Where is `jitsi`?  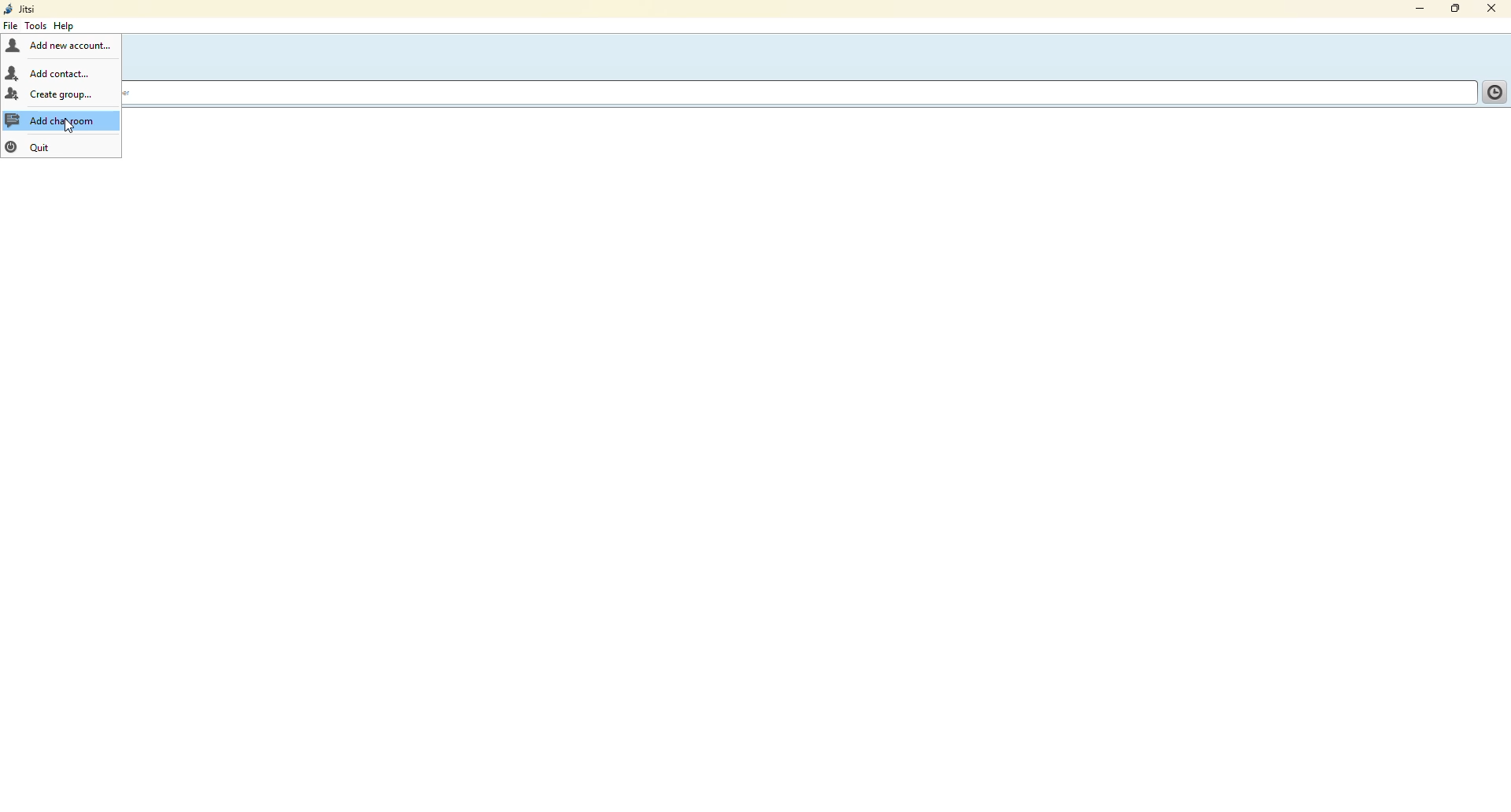 jitsi is located at coordinates (22, 9).